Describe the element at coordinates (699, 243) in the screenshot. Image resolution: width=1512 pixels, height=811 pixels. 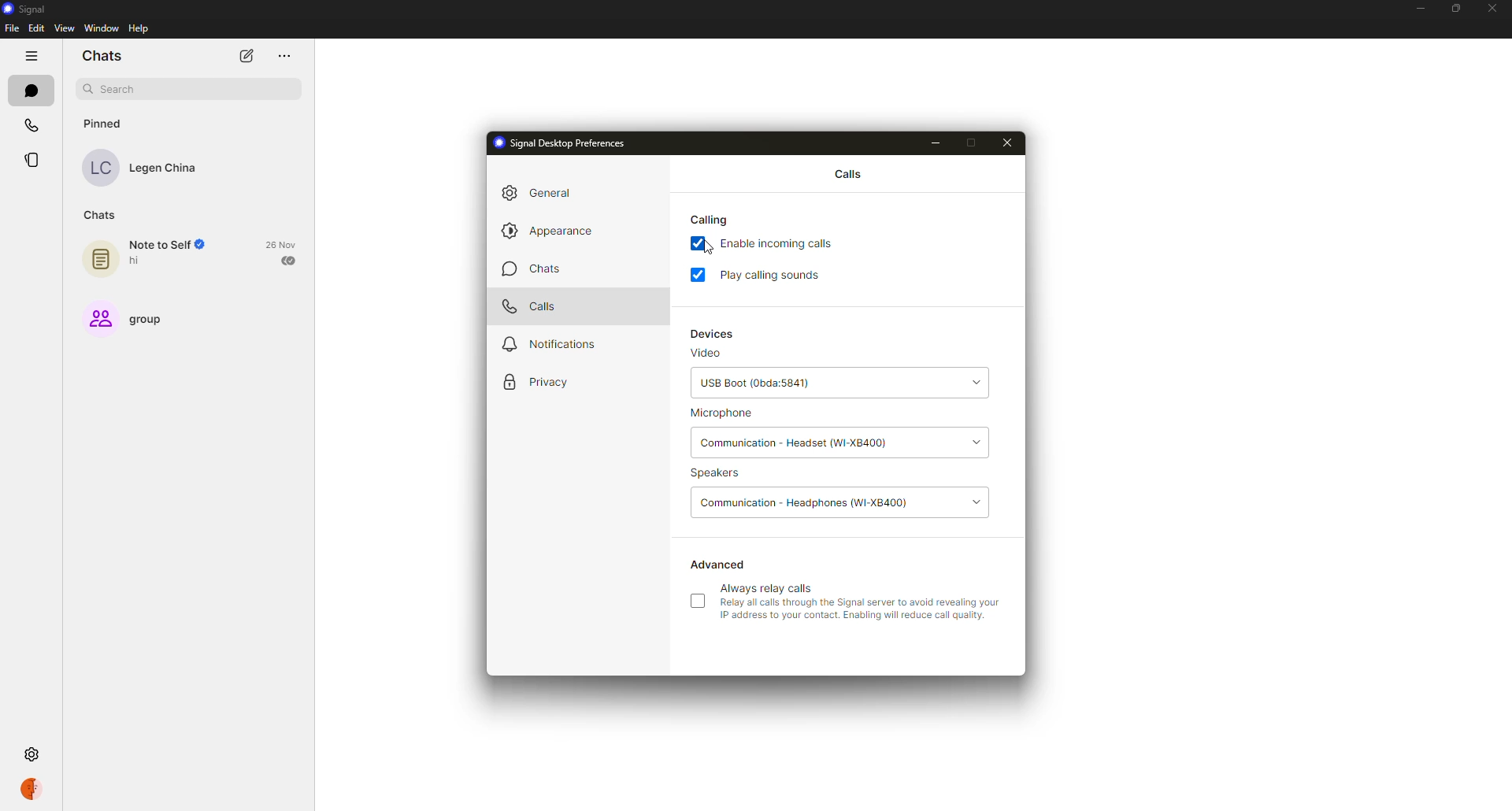
I see `enabled` at that location.